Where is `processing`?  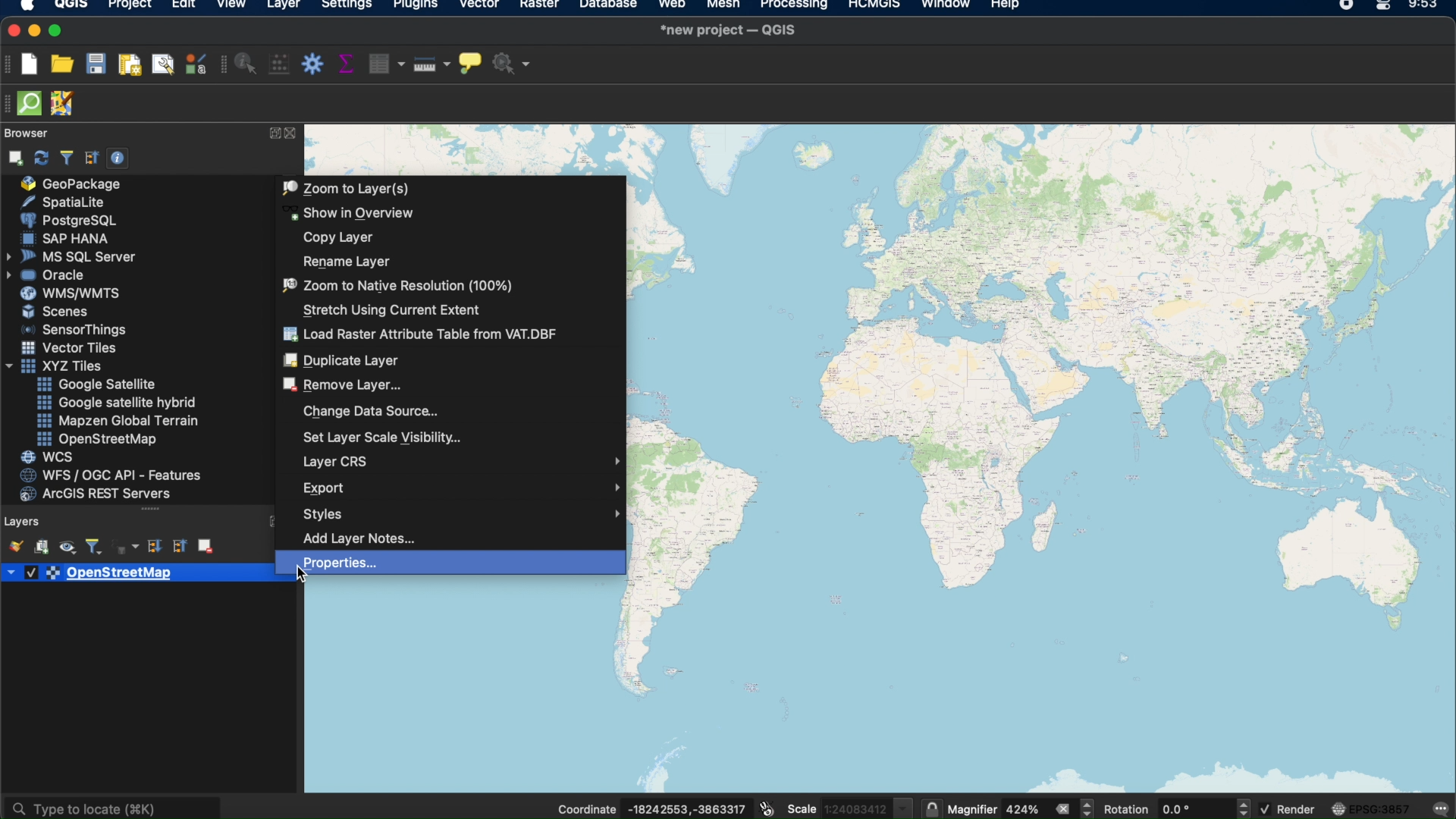
processing is located at coordinates (795, 6).